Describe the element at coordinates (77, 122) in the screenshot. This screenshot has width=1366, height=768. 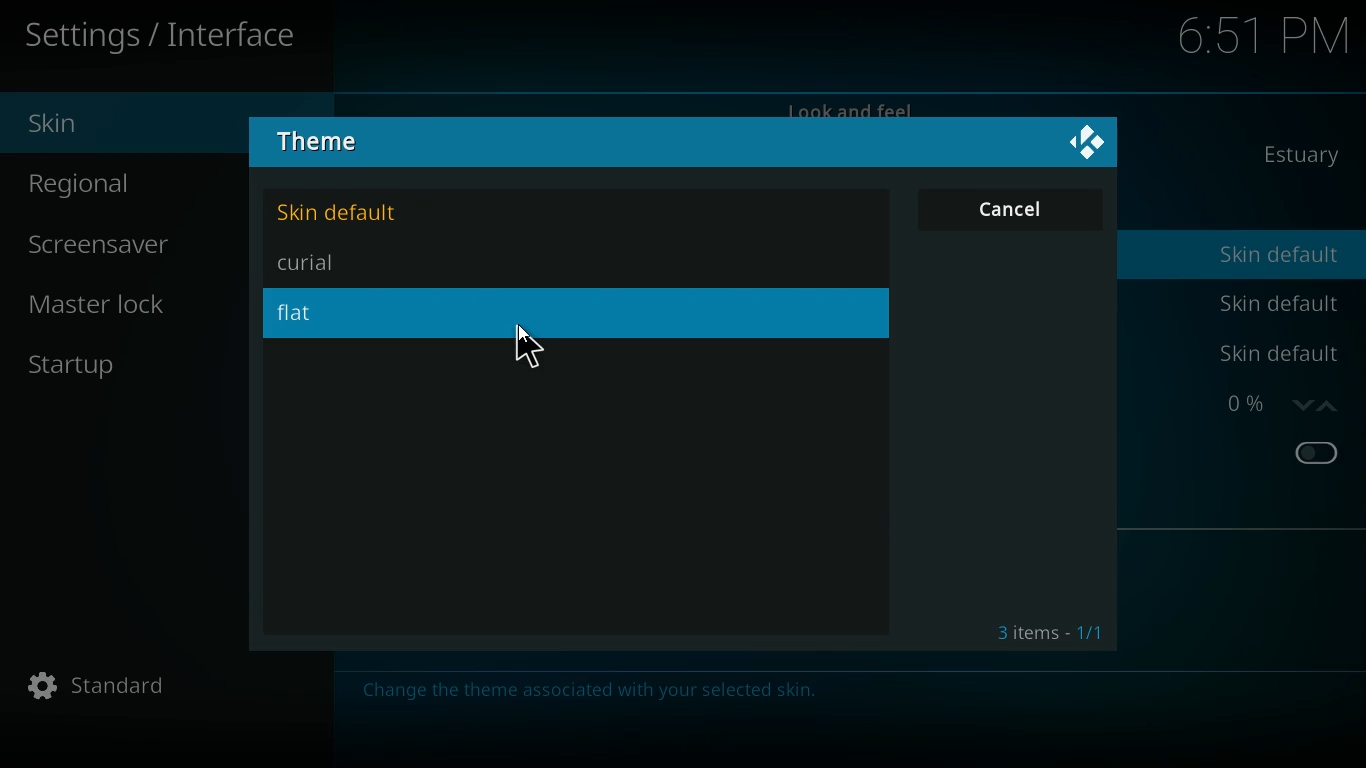
I see `skin` at that location.